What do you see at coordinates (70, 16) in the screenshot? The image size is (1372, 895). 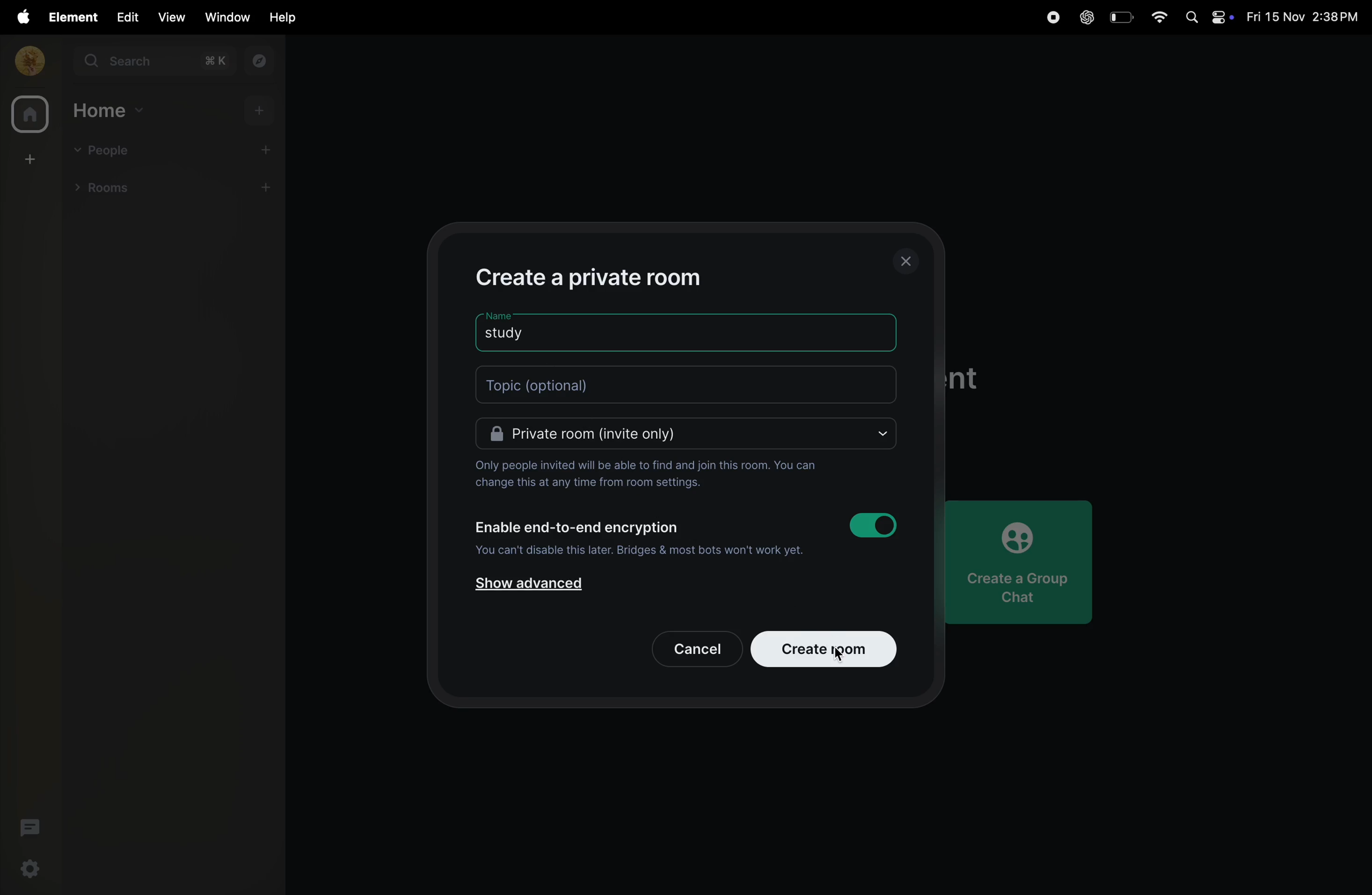 I see `element menu` at bounding box center [70, 16].